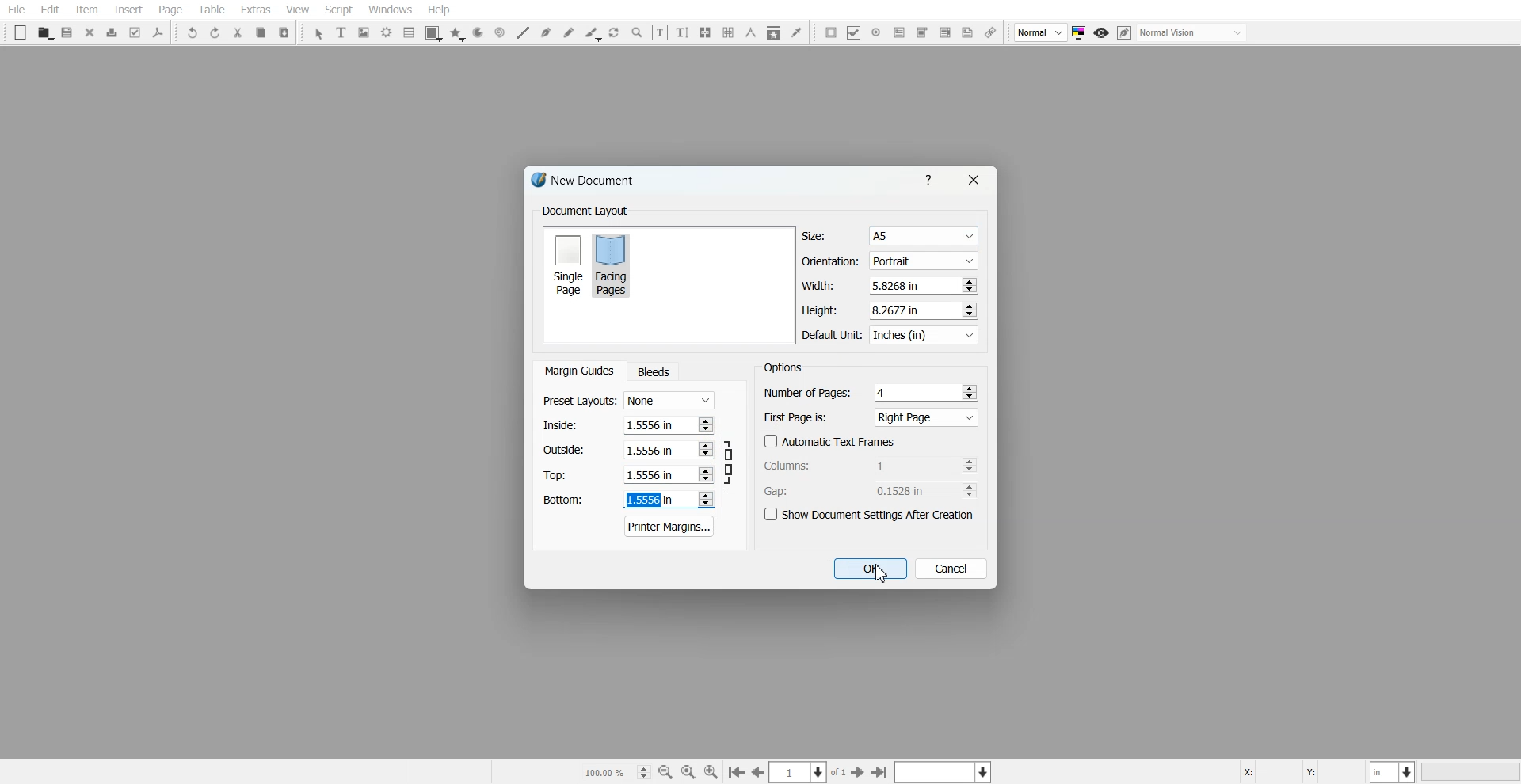 The image size is (1521, 784). I want to click on 0.1528 in, so click(905, 490).